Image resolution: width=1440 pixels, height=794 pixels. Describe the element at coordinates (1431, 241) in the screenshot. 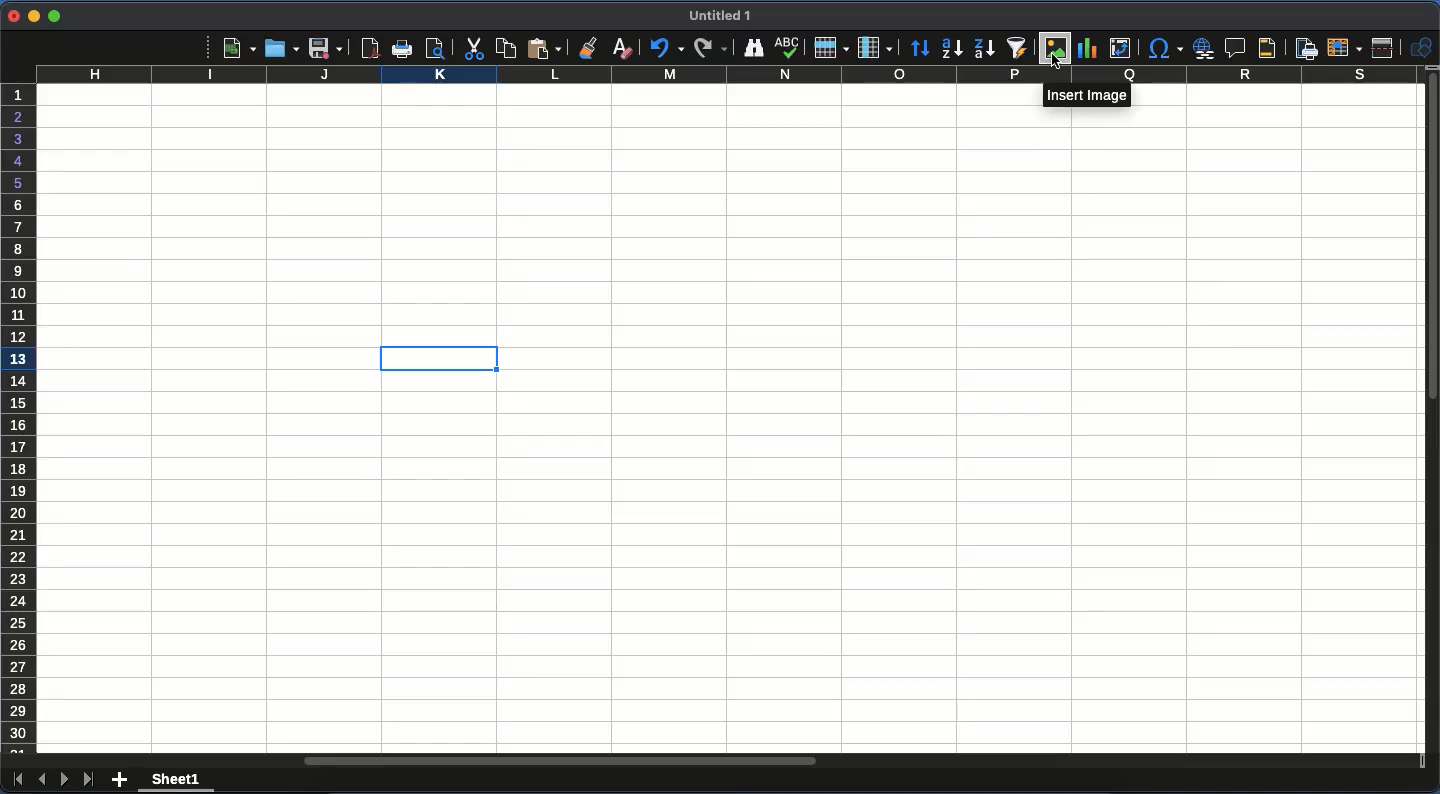

I see `vertical scroll bar` at that location.